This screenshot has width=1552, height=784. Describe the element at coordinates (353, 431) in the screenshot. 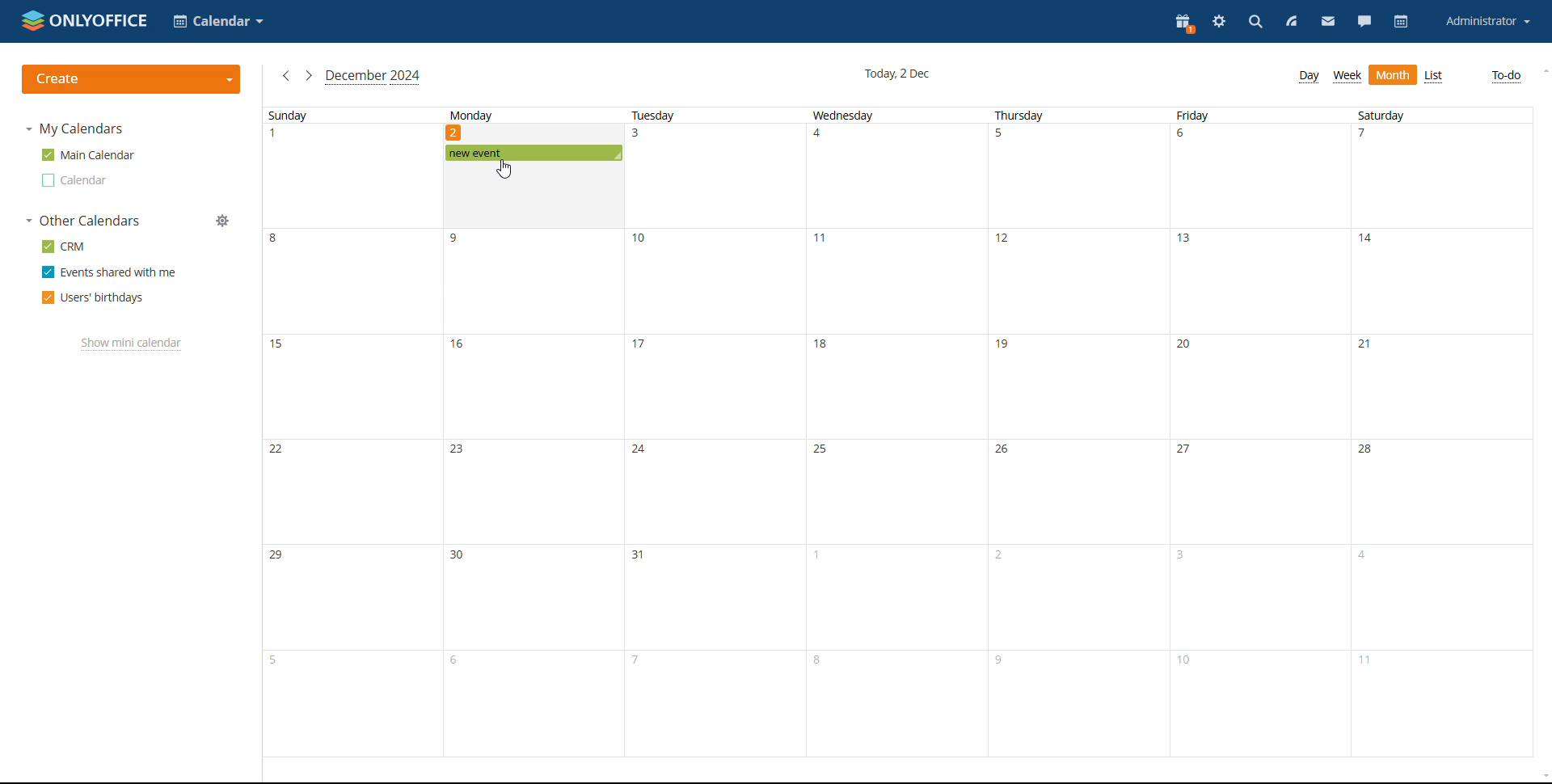

I see `sunday` at that location.